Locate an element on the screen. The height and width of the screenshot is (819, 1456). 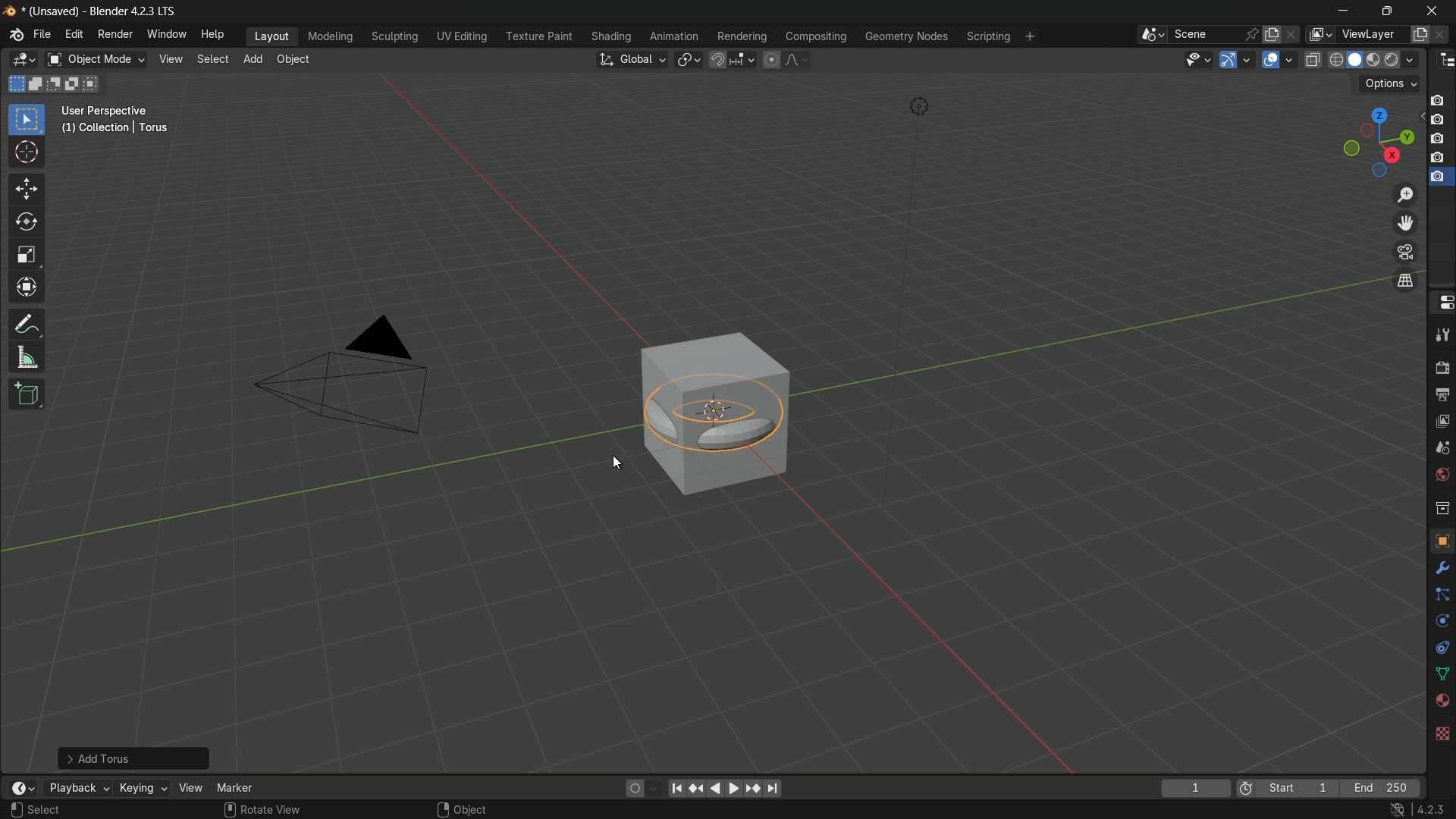
auto keyframe is located at coordinates (653, 789).